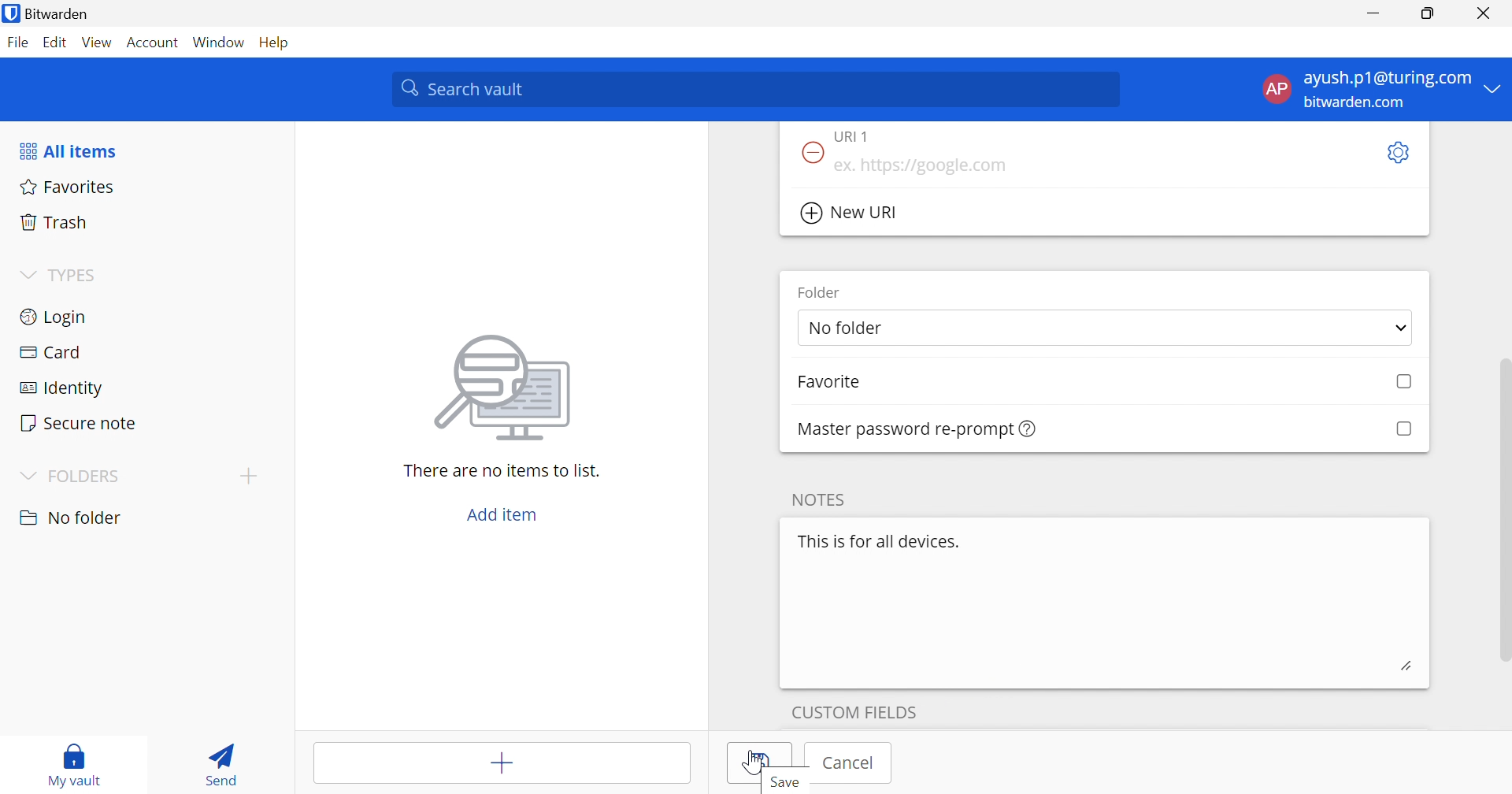 The height and width of the screenshot is (794, 1512). I want to click on Login, so click(55, 315).